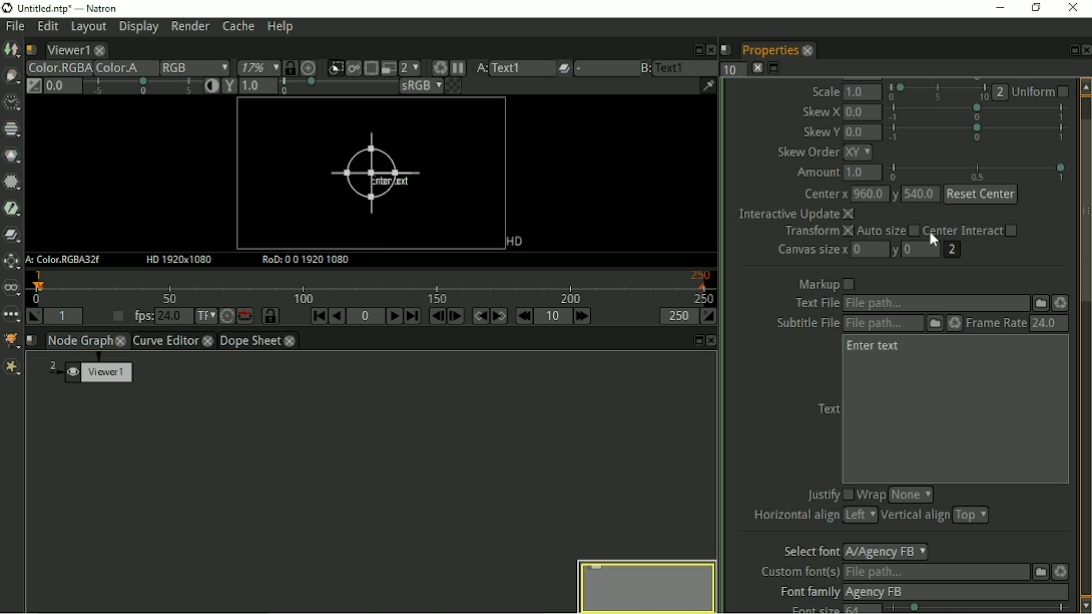  Describe the element at coordinates (57, 68) in the screenshot. I see `Color.RGBA` at that location.